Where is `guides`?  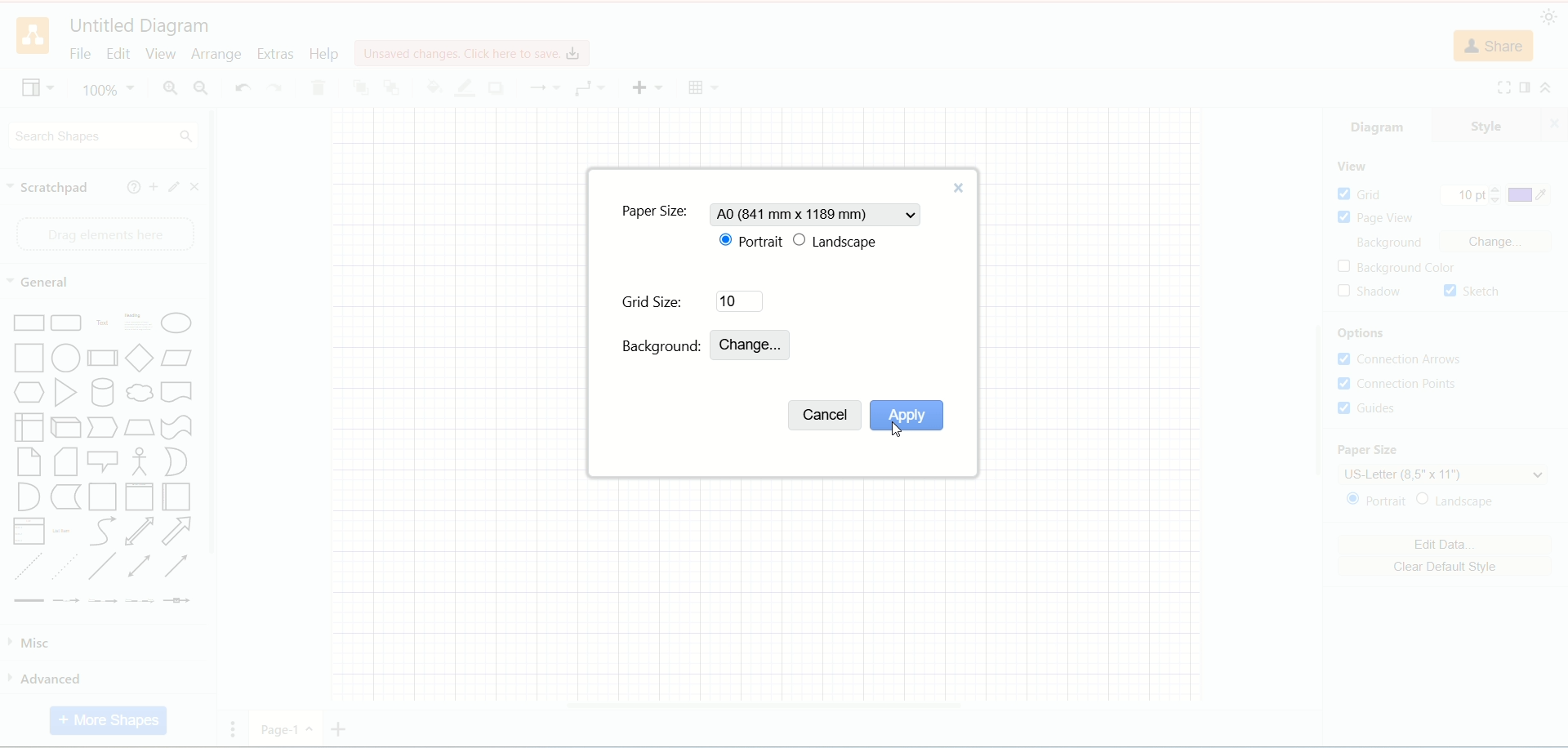 guides is located at coordinates (1369, 407).